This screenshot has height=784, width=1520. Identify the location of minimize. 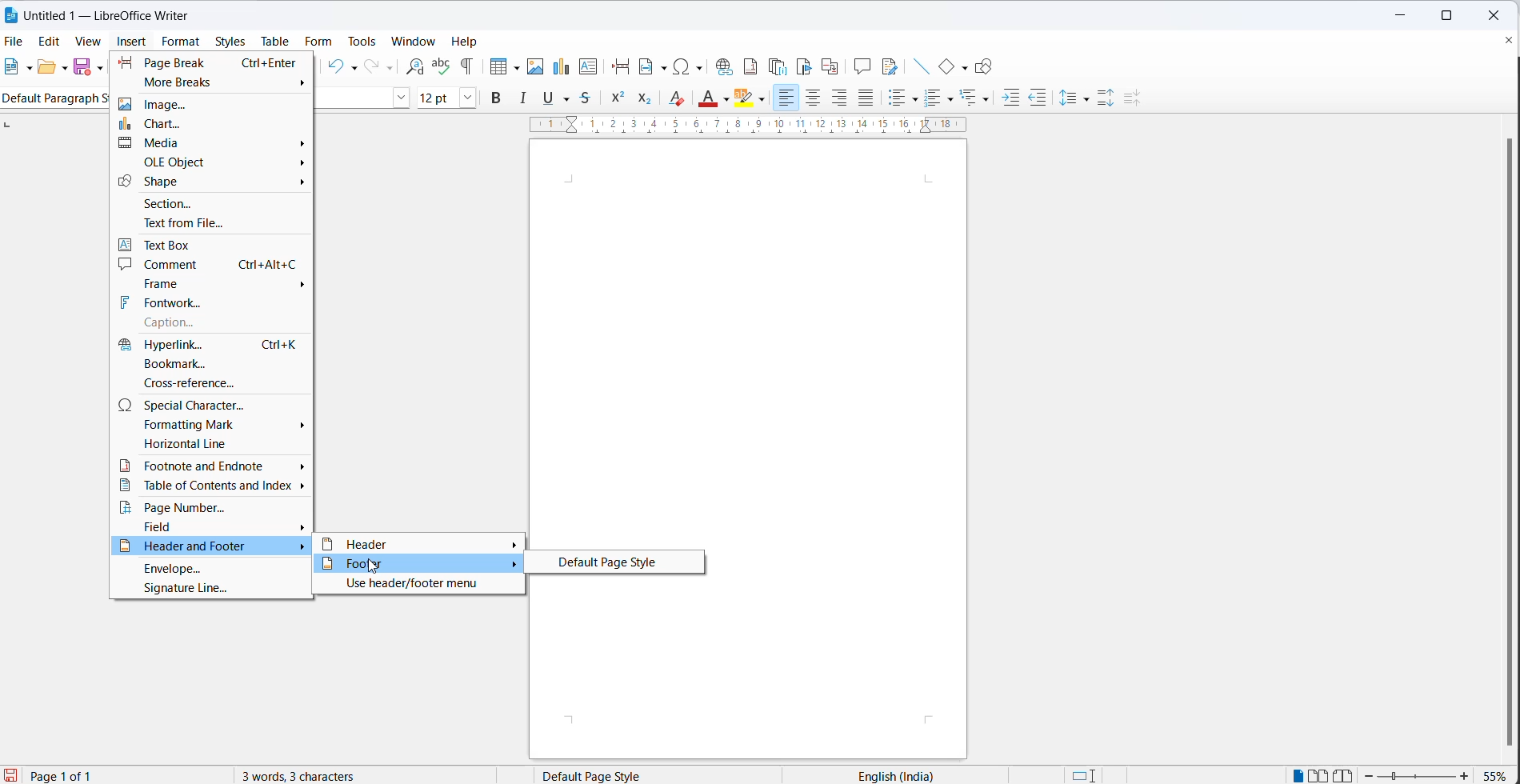
(1401, 16).